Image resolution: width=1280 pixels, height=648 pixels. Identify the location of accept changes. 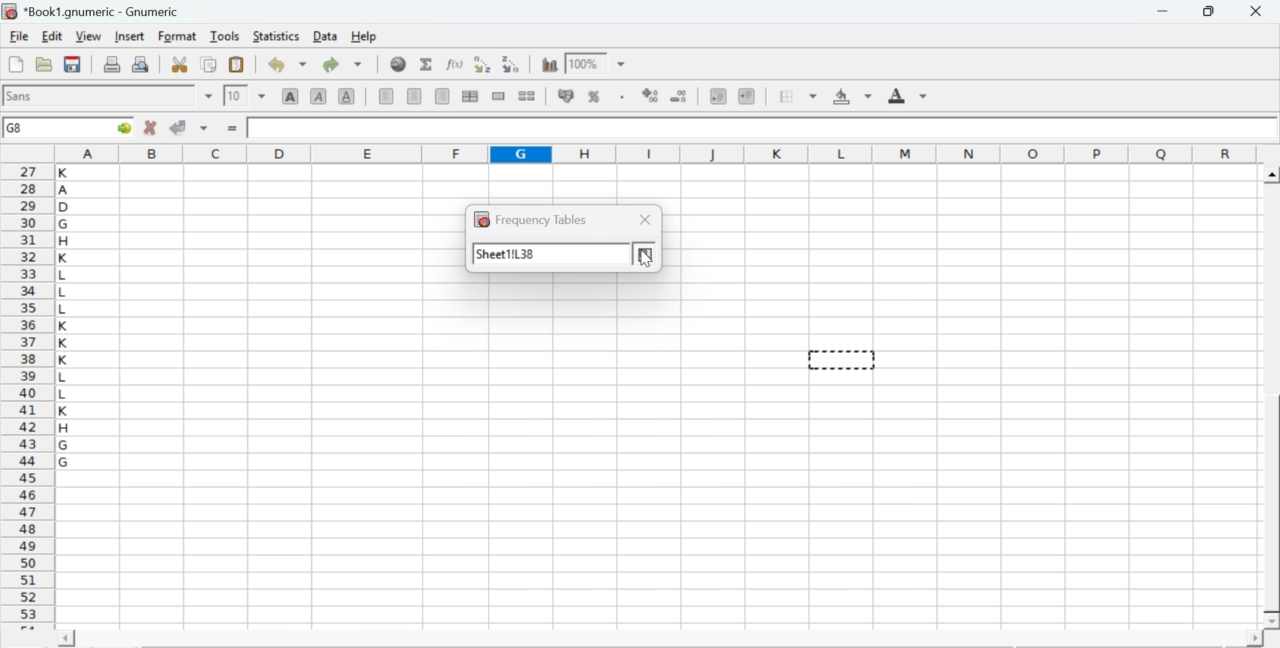
(179, 126).